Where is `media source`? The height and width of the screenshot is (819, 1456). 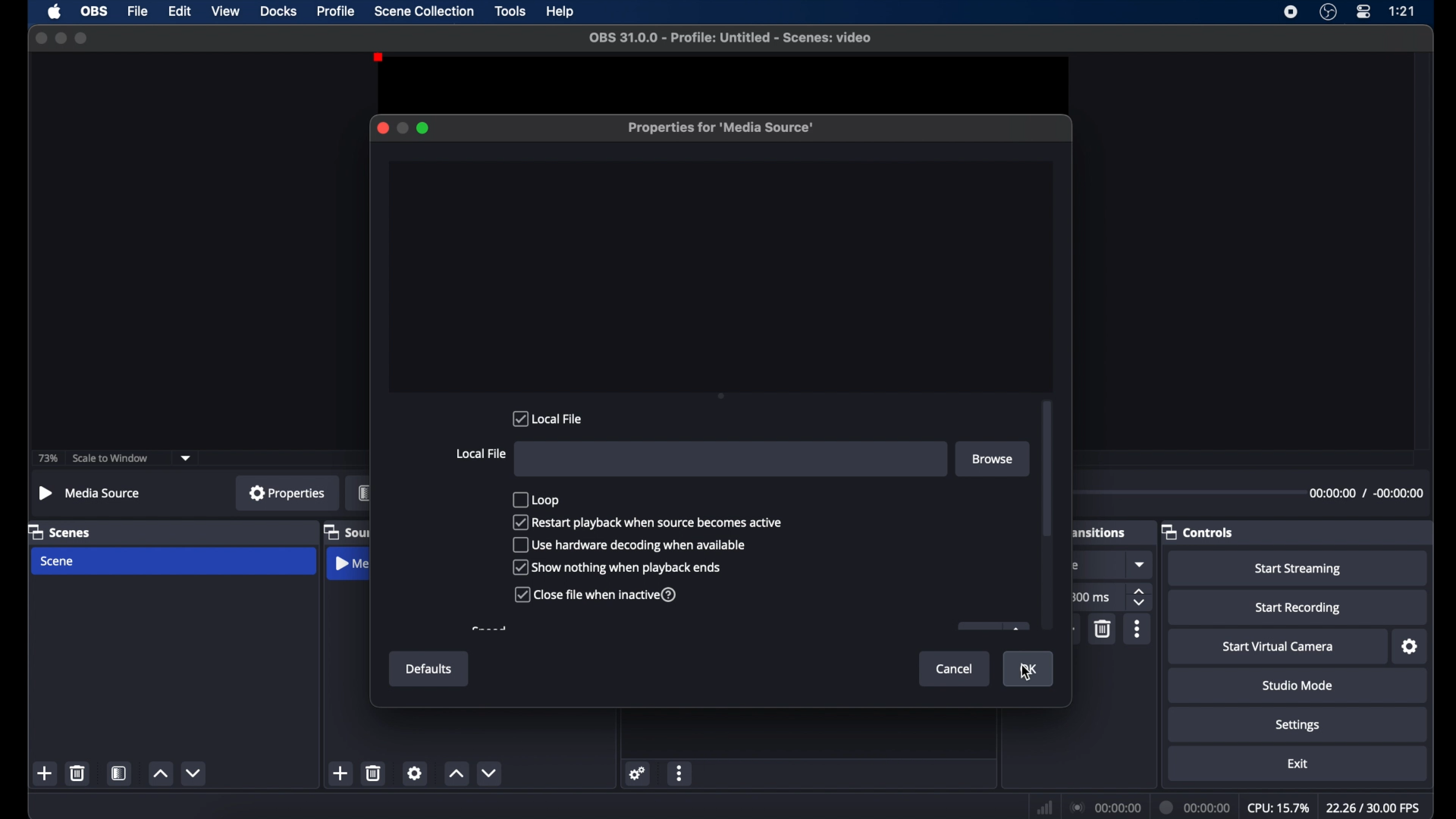
media source is located at coordinates (353, 563).